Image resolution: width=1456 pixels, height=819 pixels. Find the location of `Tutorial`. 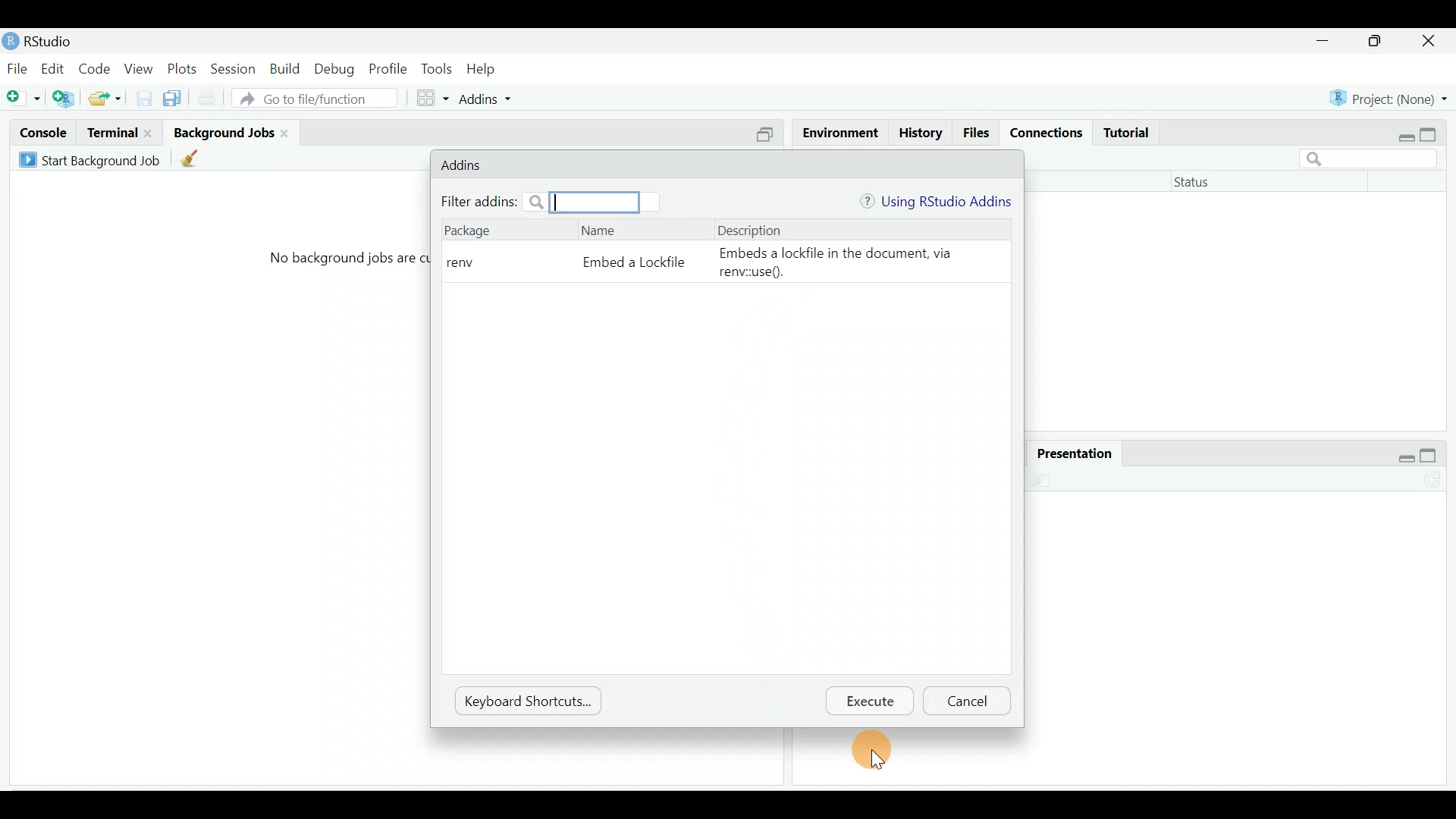

Tutorial is located at coordinates (1129, 133).